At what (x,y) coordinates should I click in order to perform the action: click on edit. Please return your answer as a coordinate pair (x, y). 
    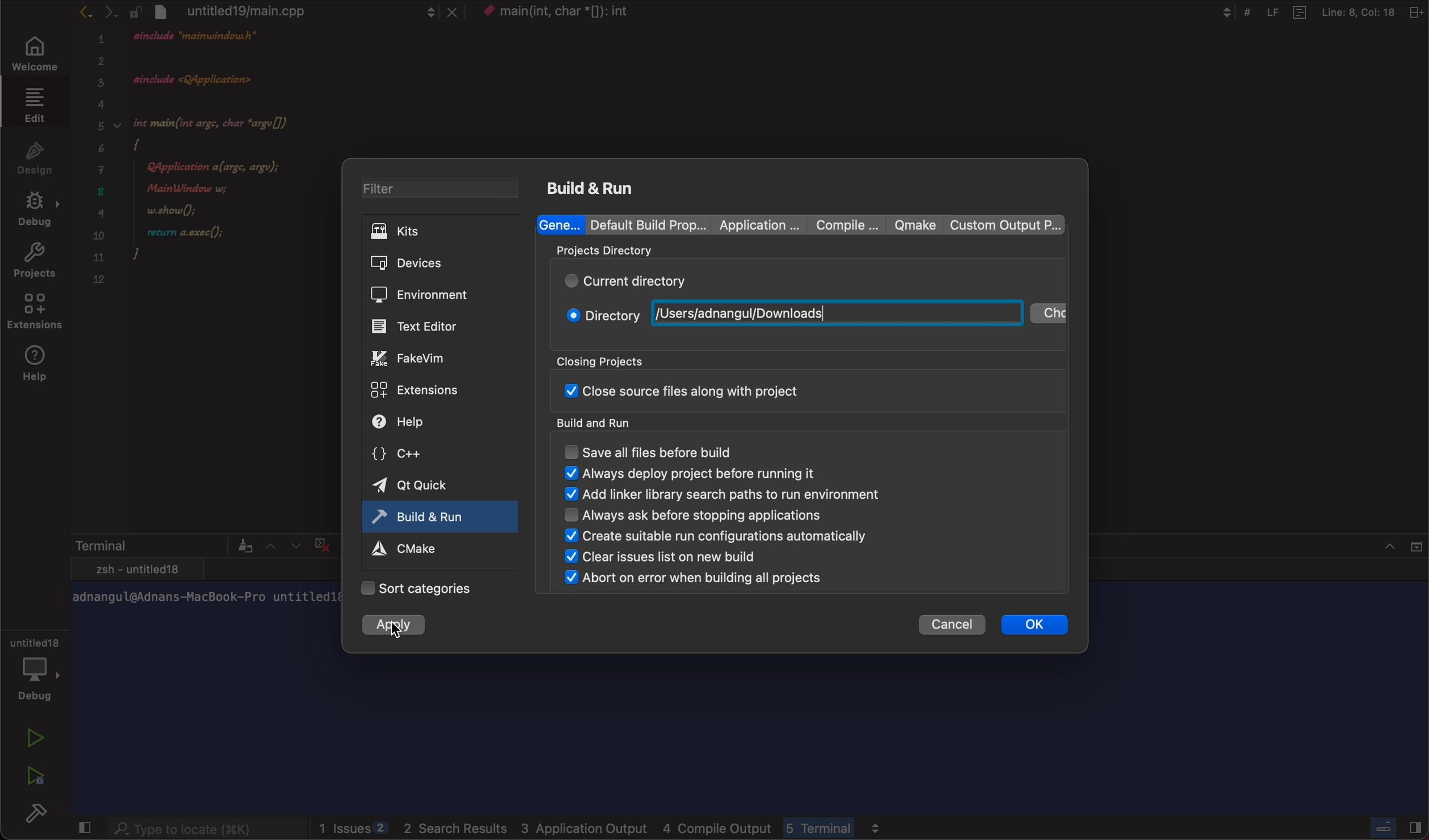
    Looking at the image, I should click on (35, 106).